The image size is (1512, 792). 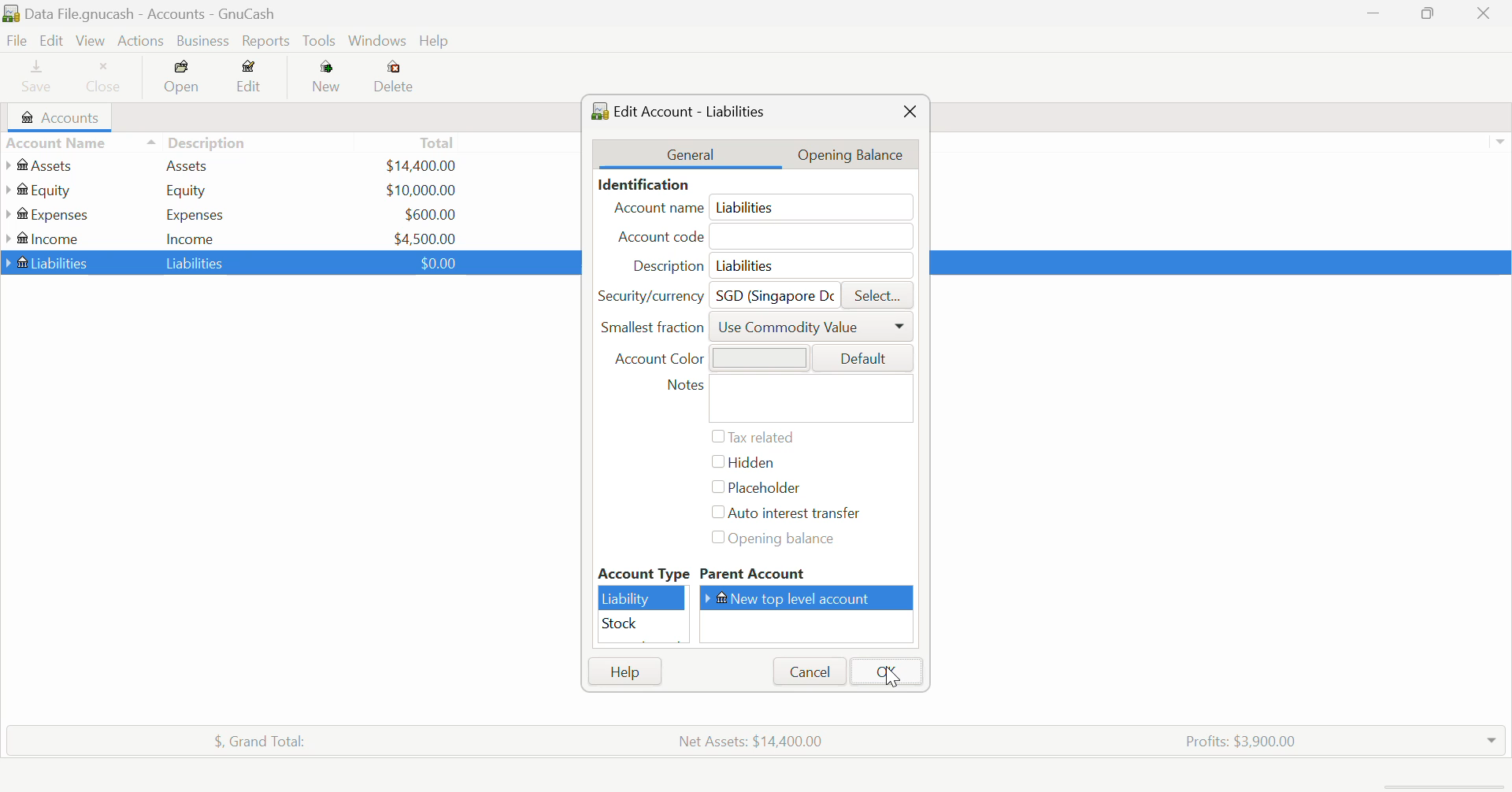 What do you see at coordinates (756, 357) in the screenshot?
I see `Account Color` at bounding box center [756, 357].